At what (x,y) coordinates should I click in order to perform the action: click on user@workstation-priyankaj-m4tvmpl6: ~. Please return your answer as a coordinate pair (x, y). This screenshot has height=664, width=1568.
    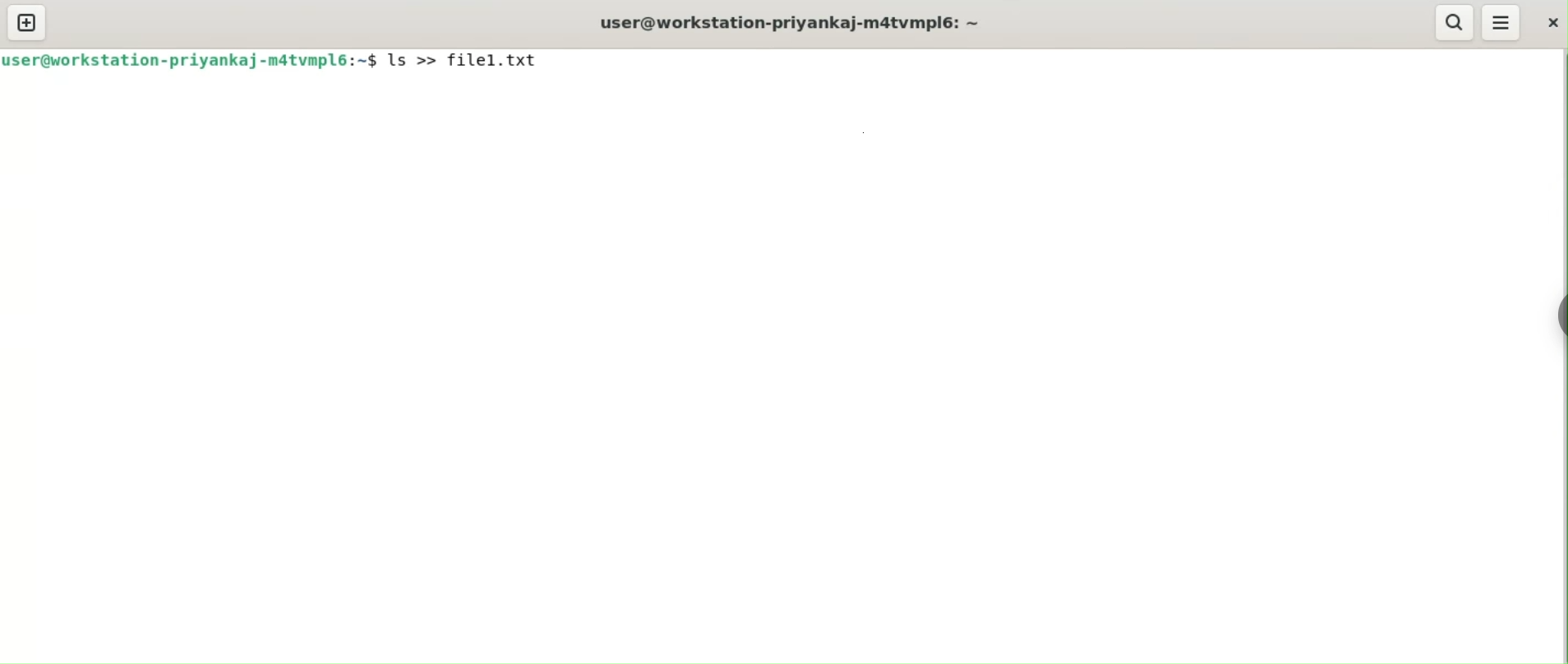
    Looking at the image, I should click on (795, 22).